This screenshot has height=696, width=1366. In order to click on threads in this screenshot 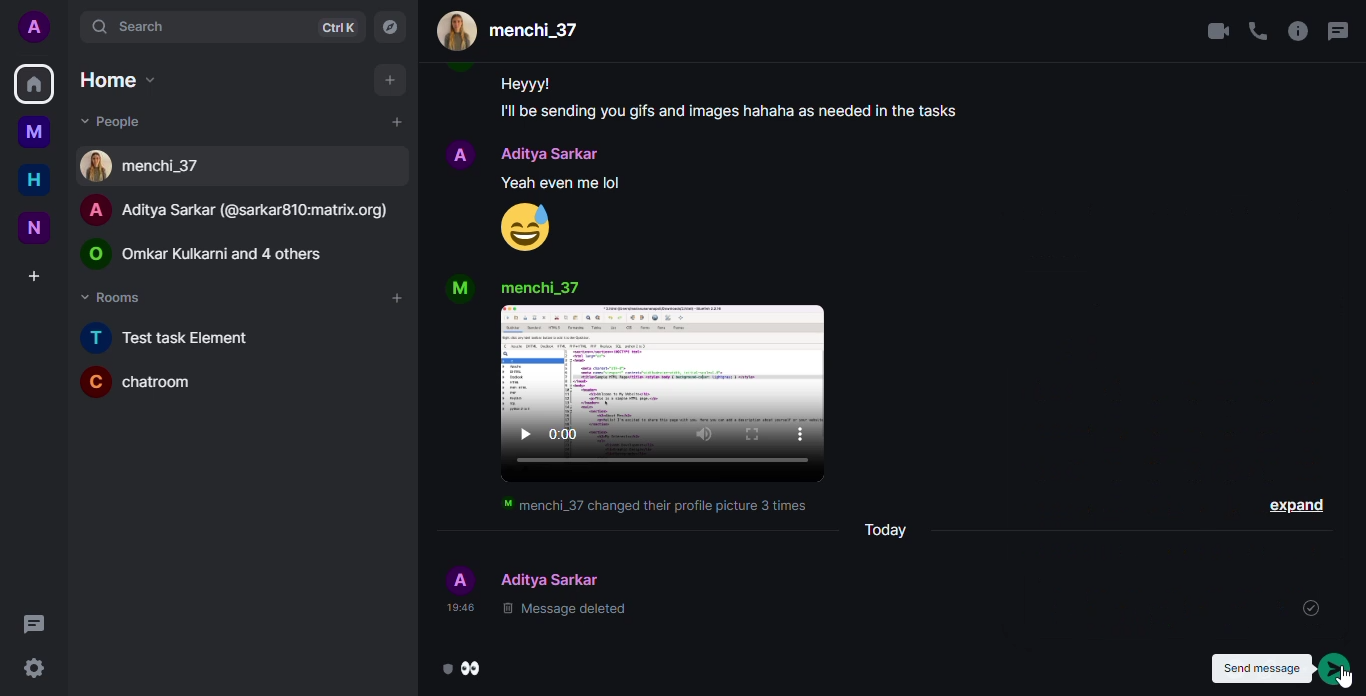, I will do `click(36, 624)`.